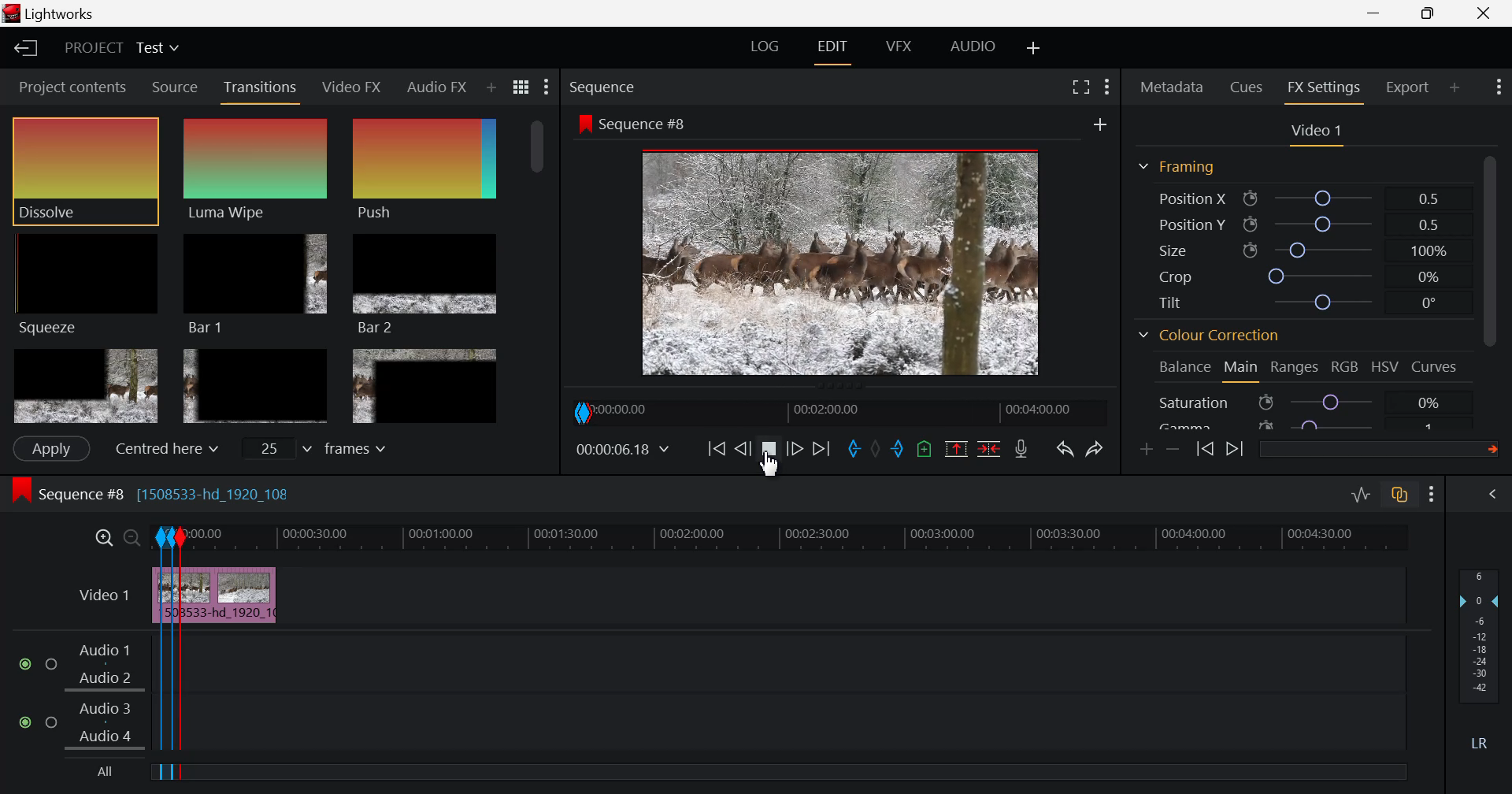 The height and width of the screenshot is (794, 1512). I want to click on Full Screen, so click(1082, 85).